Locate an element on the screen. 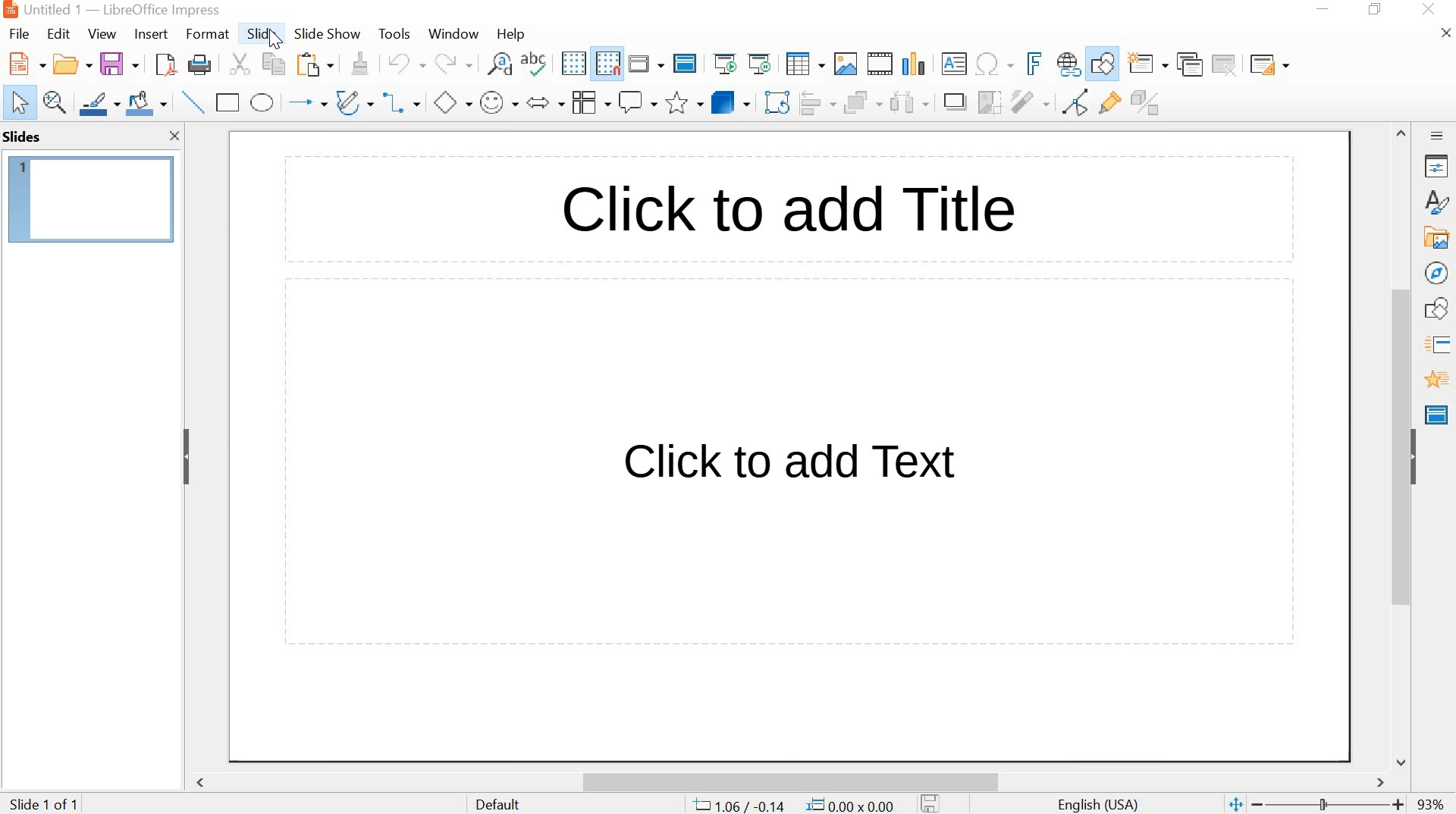 The image size is (1456, 814). OPEN is located at coordinates (69, 64).